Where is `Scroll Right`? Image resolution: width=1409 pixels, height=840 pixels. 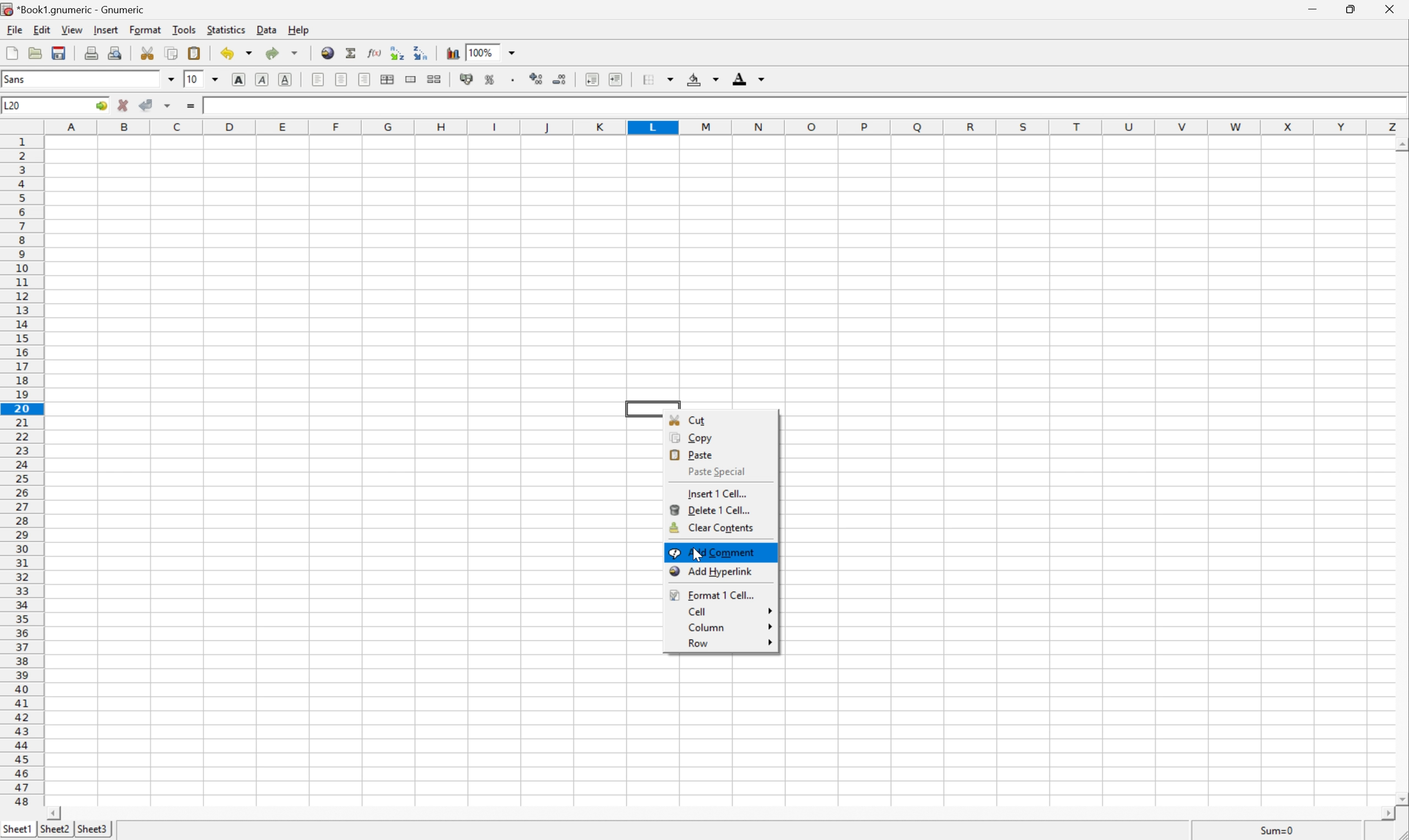
Scroll Right is located at coordinates (1380, 813).